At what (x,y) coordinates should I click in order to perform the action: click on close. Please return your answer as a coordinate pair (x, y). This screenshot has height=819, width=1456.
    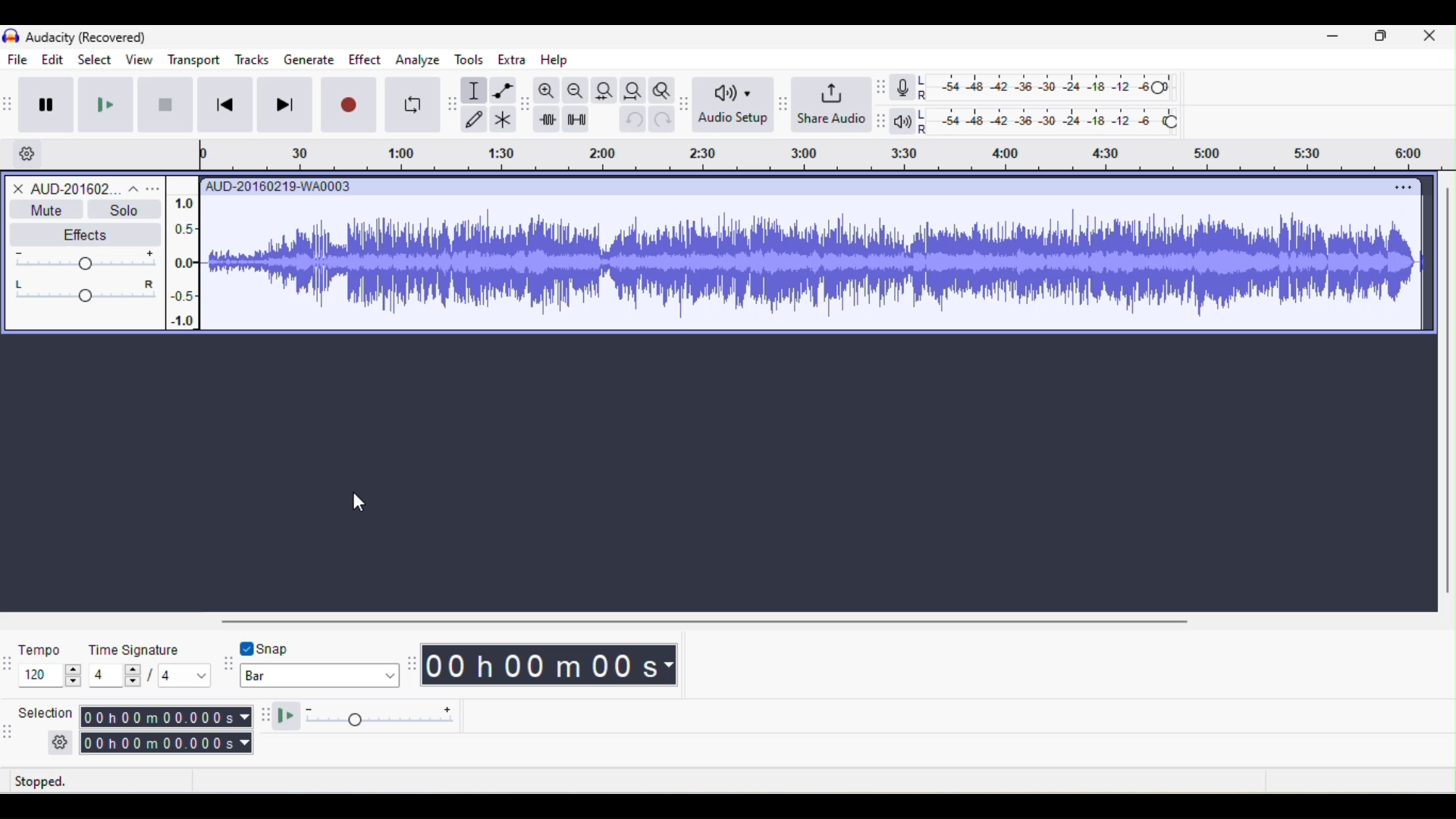
    Looking at the image, I should click on (1429, 40).